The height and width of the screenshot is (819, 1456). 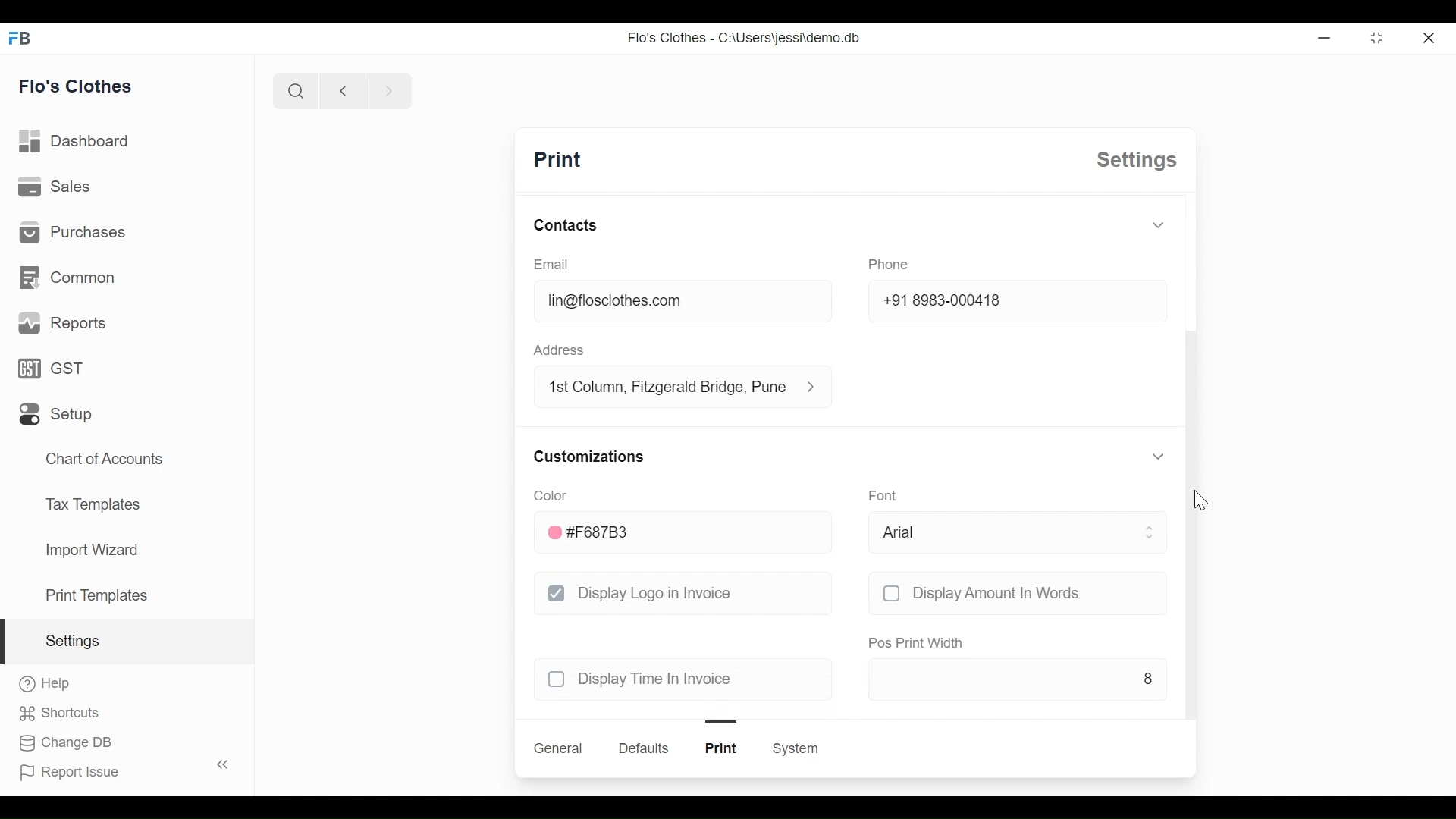 I want to click on +91 8983-000418, so click(x=1018, y=300).